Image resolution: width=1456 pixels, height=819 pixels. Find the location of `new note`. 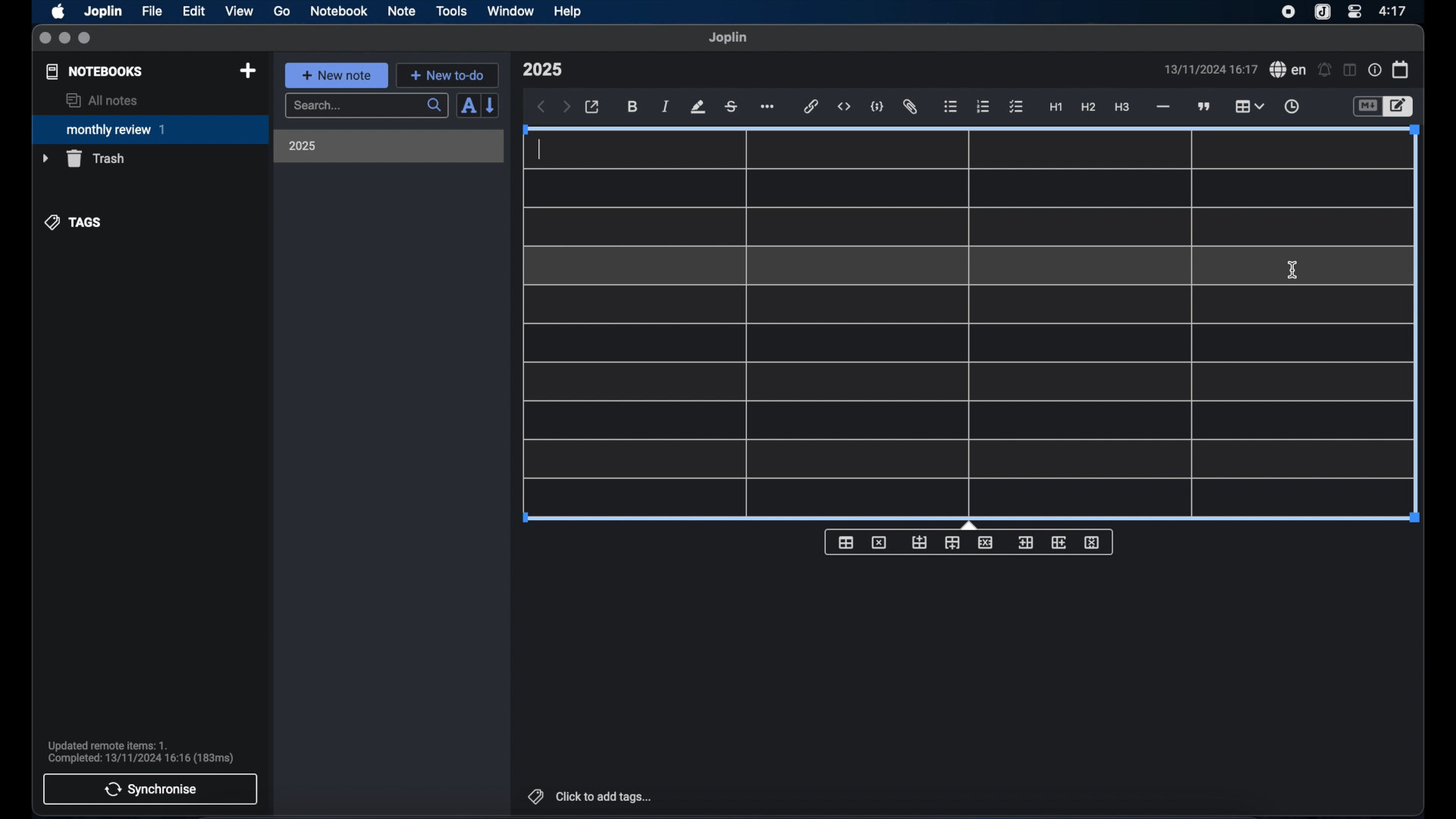

new note is located at coordinates (336, 75).